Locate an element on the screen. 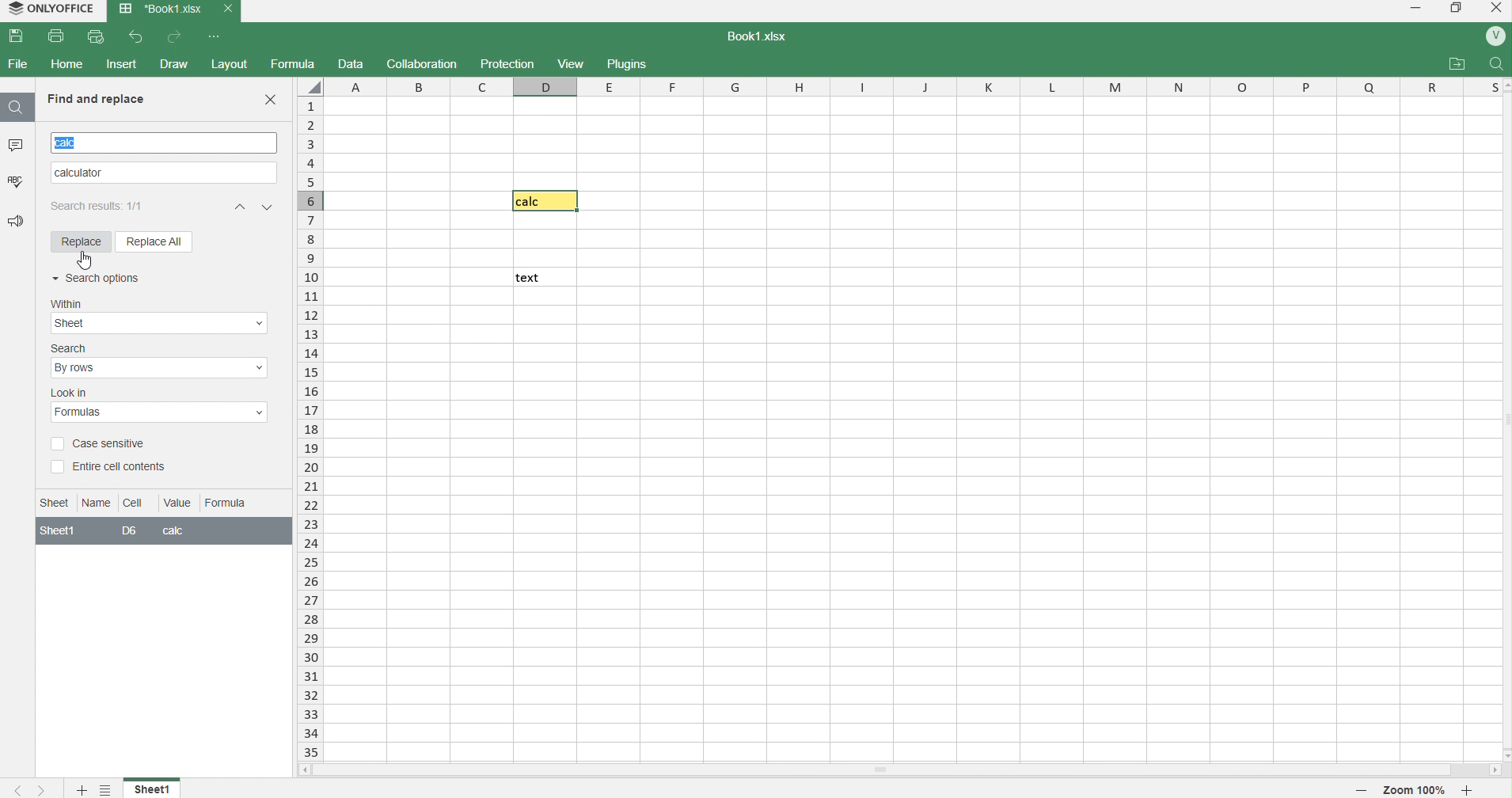  Cell is located at coordinates (141, 503).